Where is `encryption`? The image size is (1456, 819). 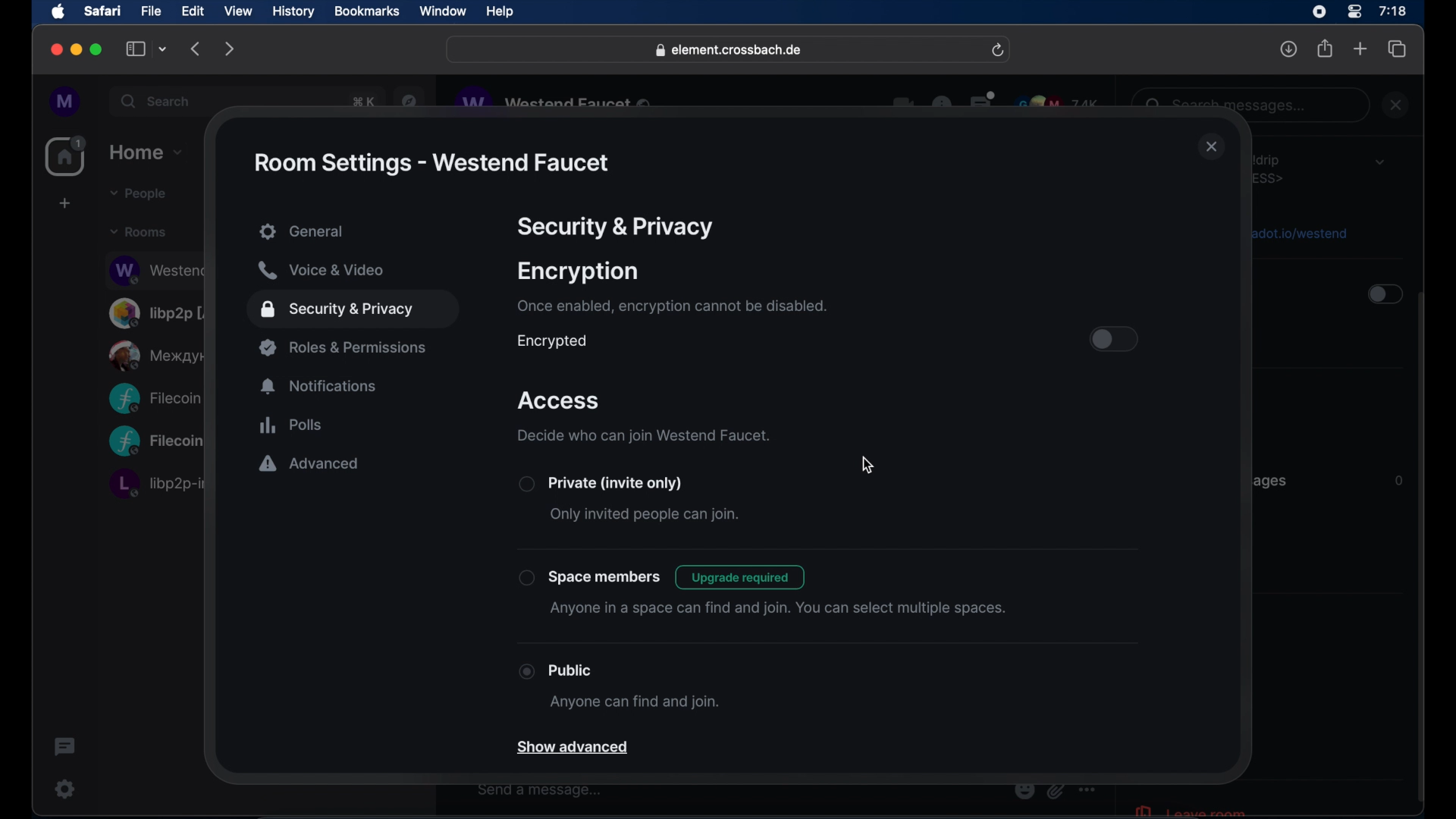 encryption is located at coordinates (578, 272).